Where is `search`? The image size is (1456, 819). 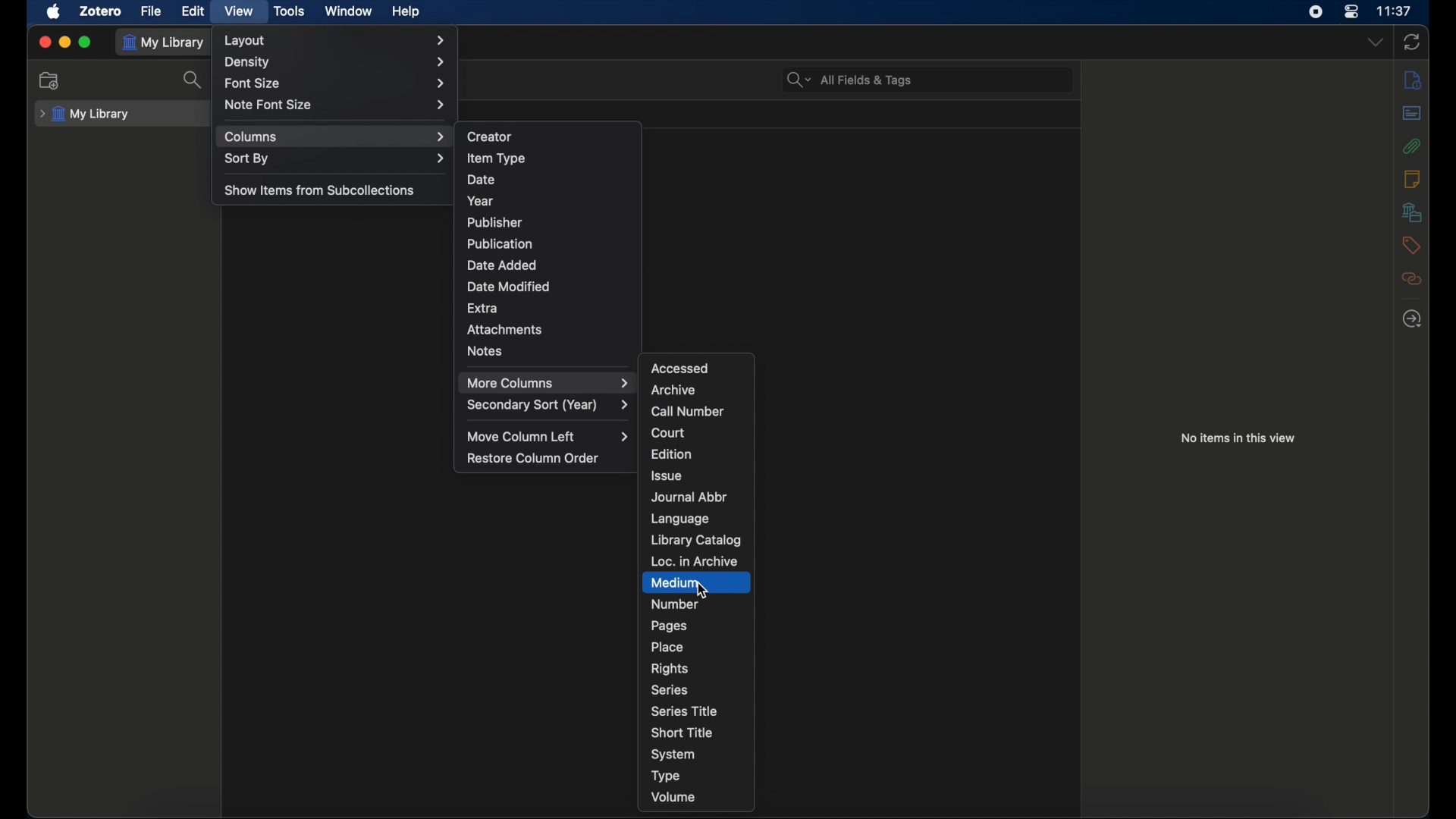
search is located at coordinates (196, 80).